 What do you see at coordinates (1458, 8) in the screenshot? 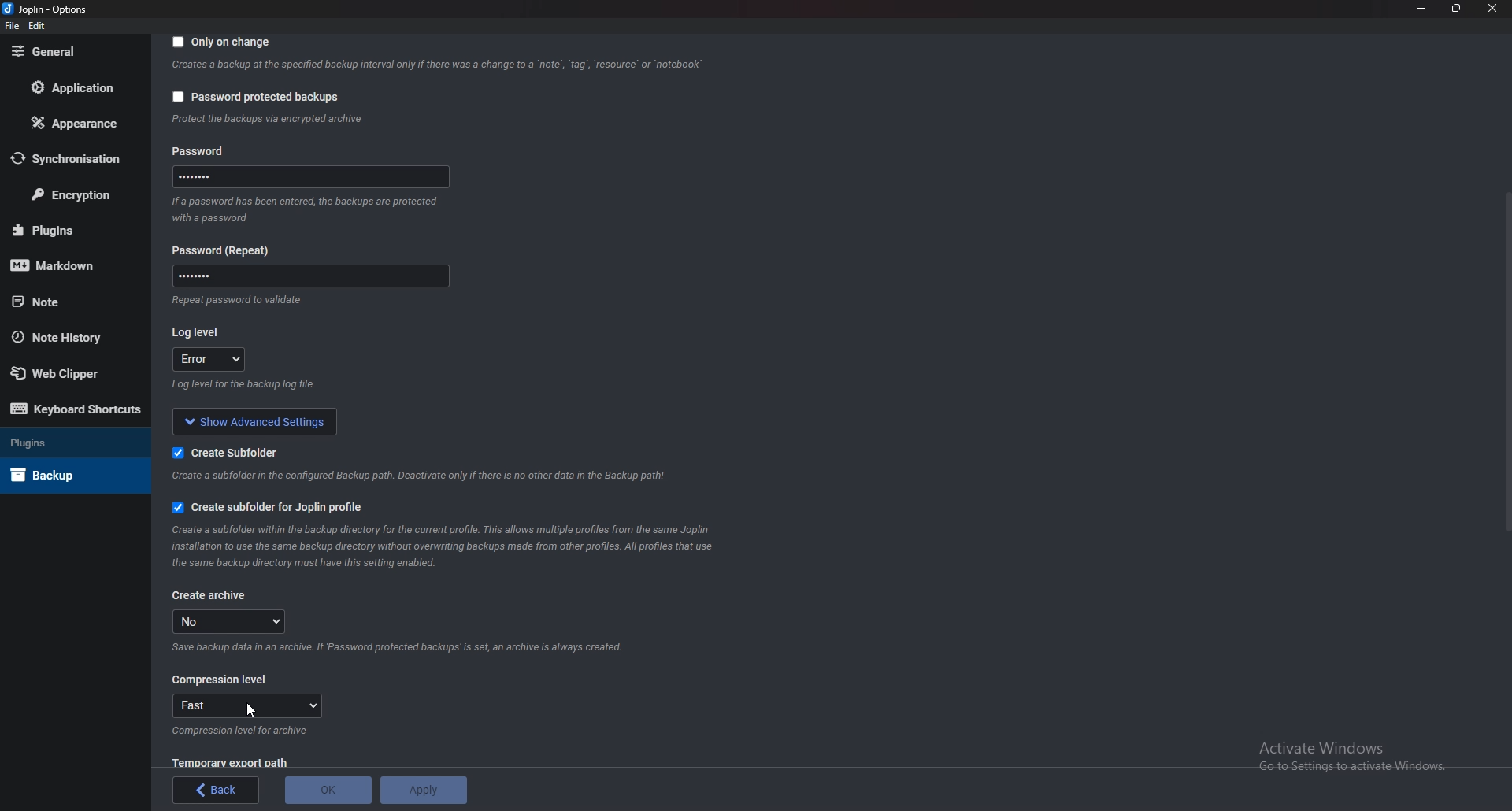
I see `resize` at bounding box center [1458, 8].